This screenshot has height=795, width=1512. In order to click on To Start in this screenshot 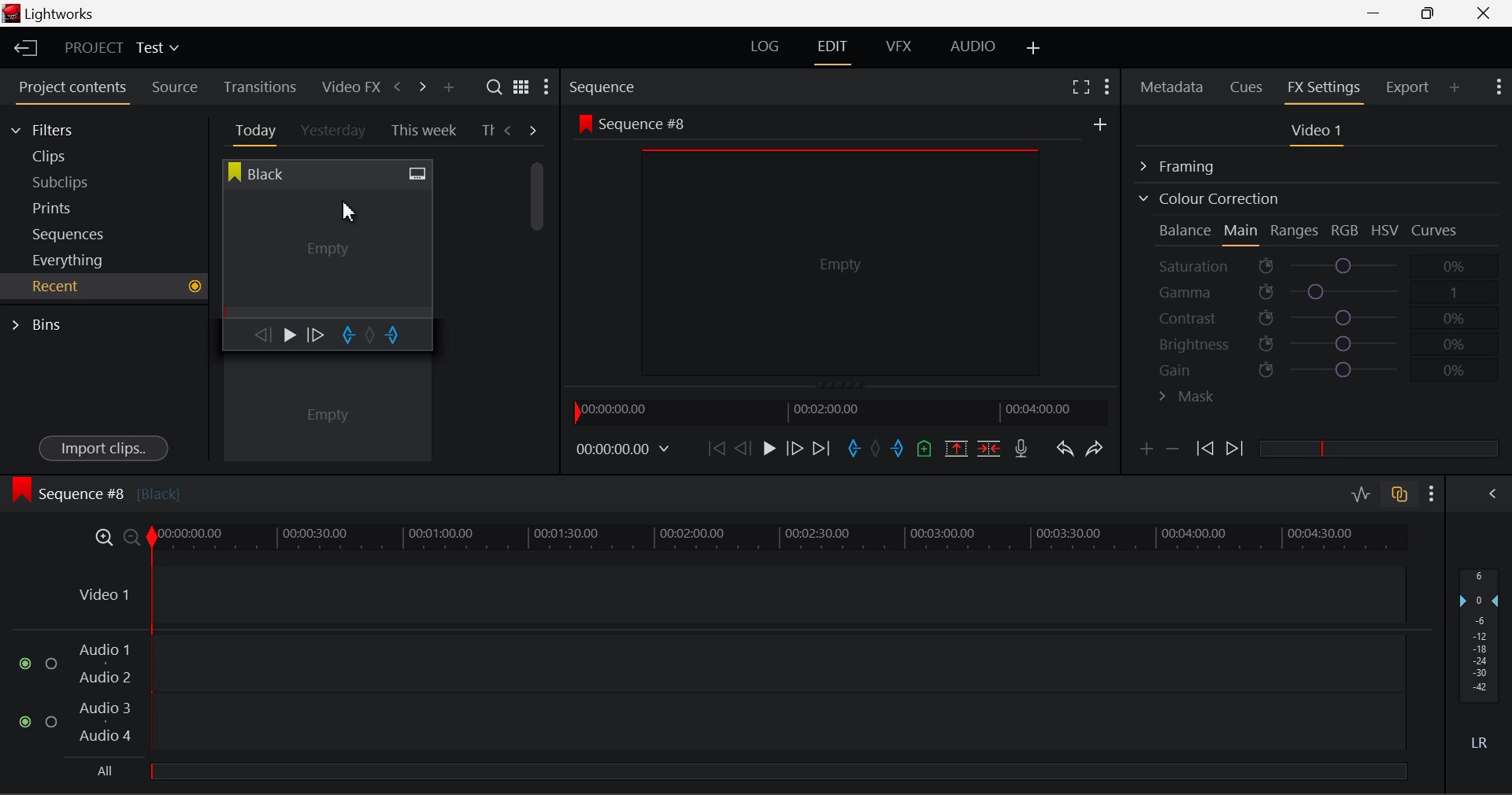, I will do `click(715, 448)`.